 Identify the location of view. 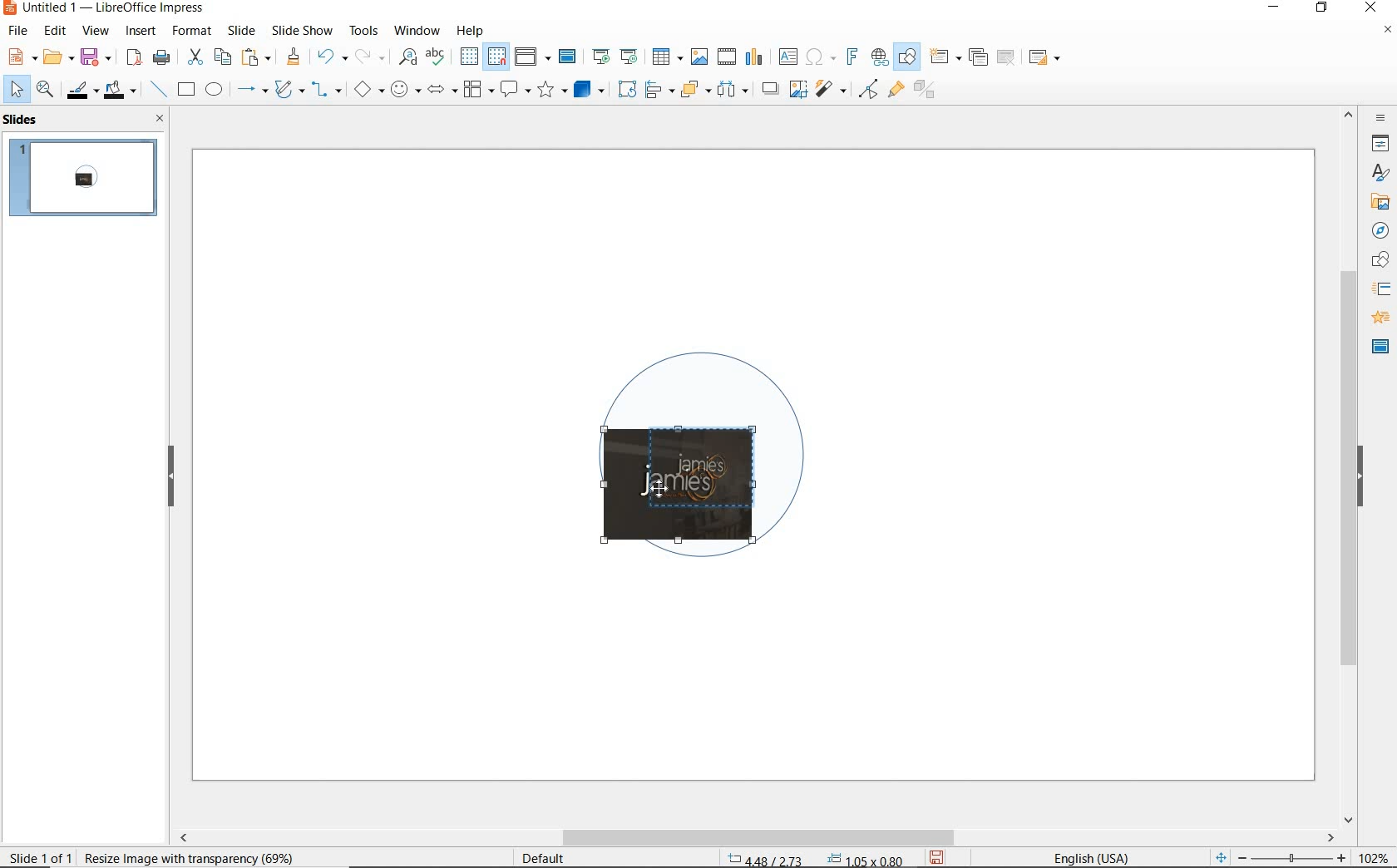
(96, 31).